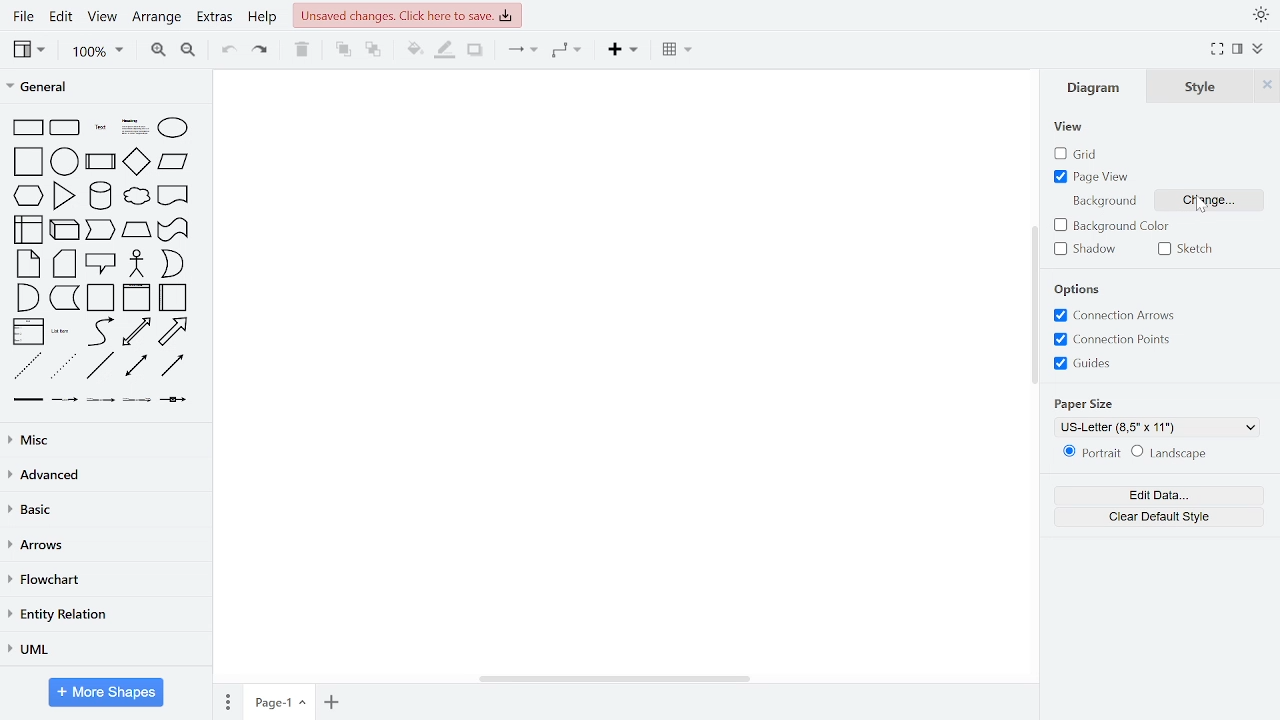 Image resolution: width=1280 pixels, height=720 pixels. Describe the element at coordinates (1162, 495) in the screenshot. I see `edit data` at that location.